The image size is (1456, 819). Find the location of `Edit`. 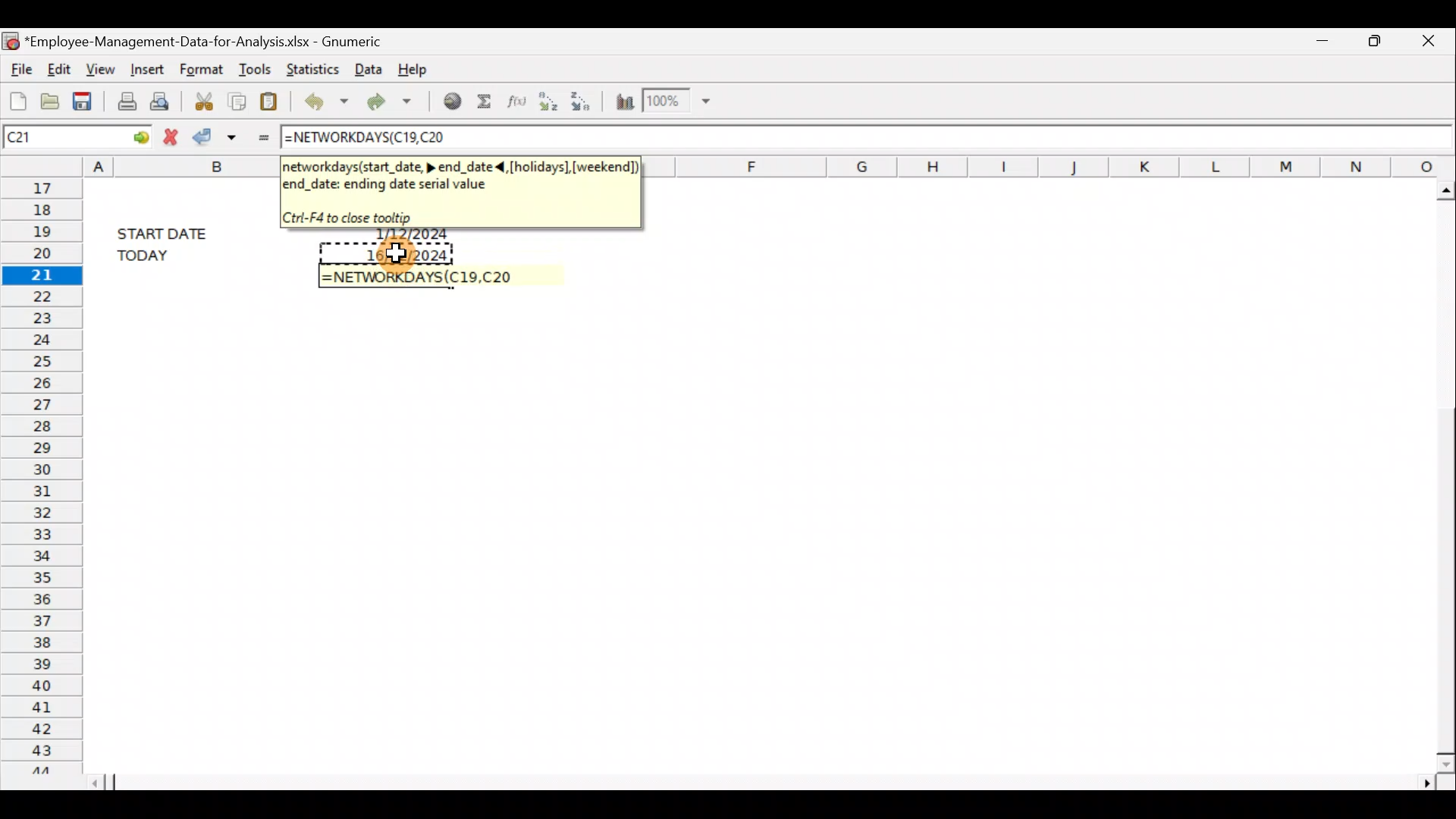

Edit is located at coordinates (61, 69).